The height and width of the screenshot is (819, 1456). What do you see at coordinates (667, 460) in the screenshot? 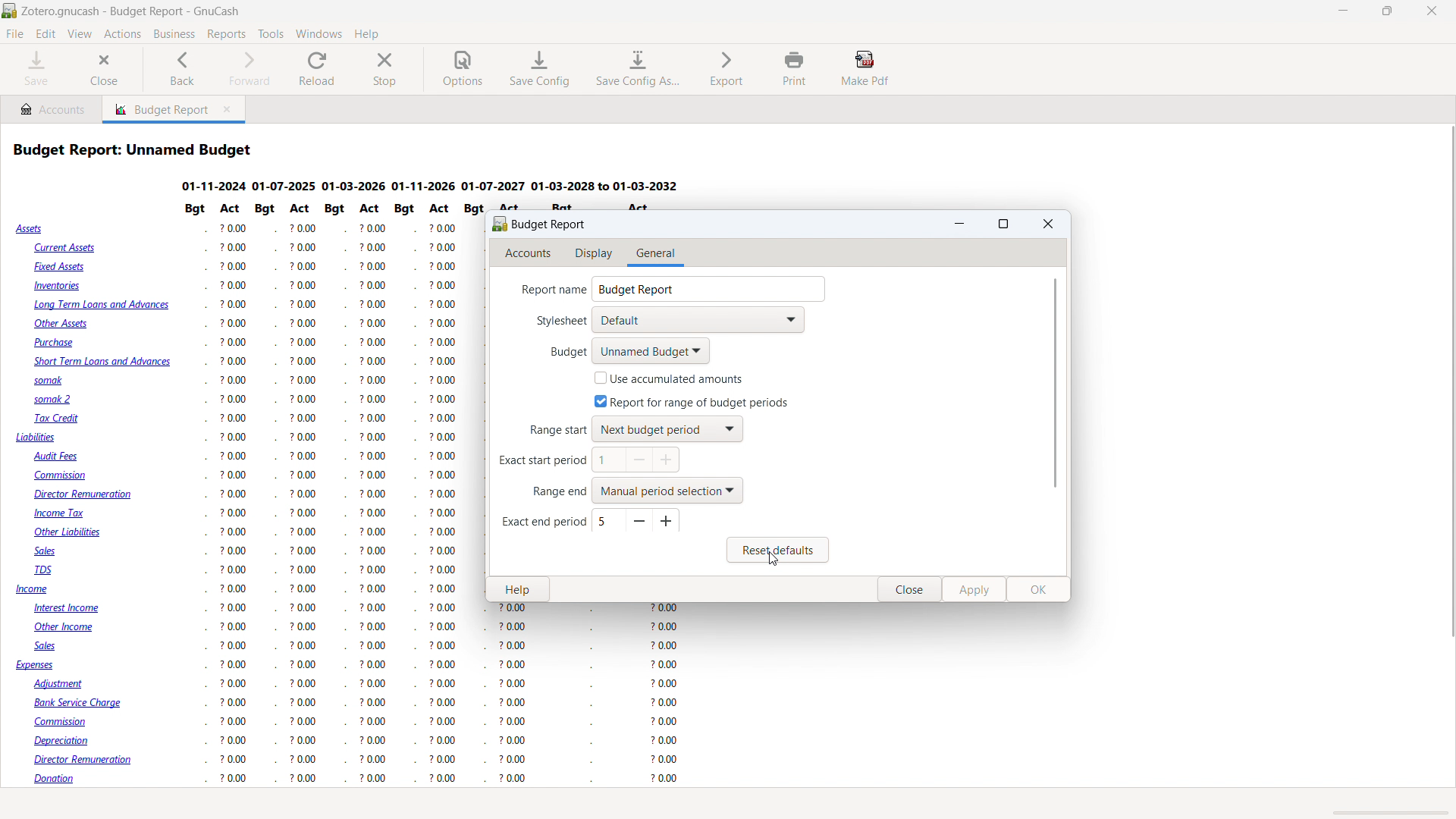
I see `increase` at bounding box center [667, 460].